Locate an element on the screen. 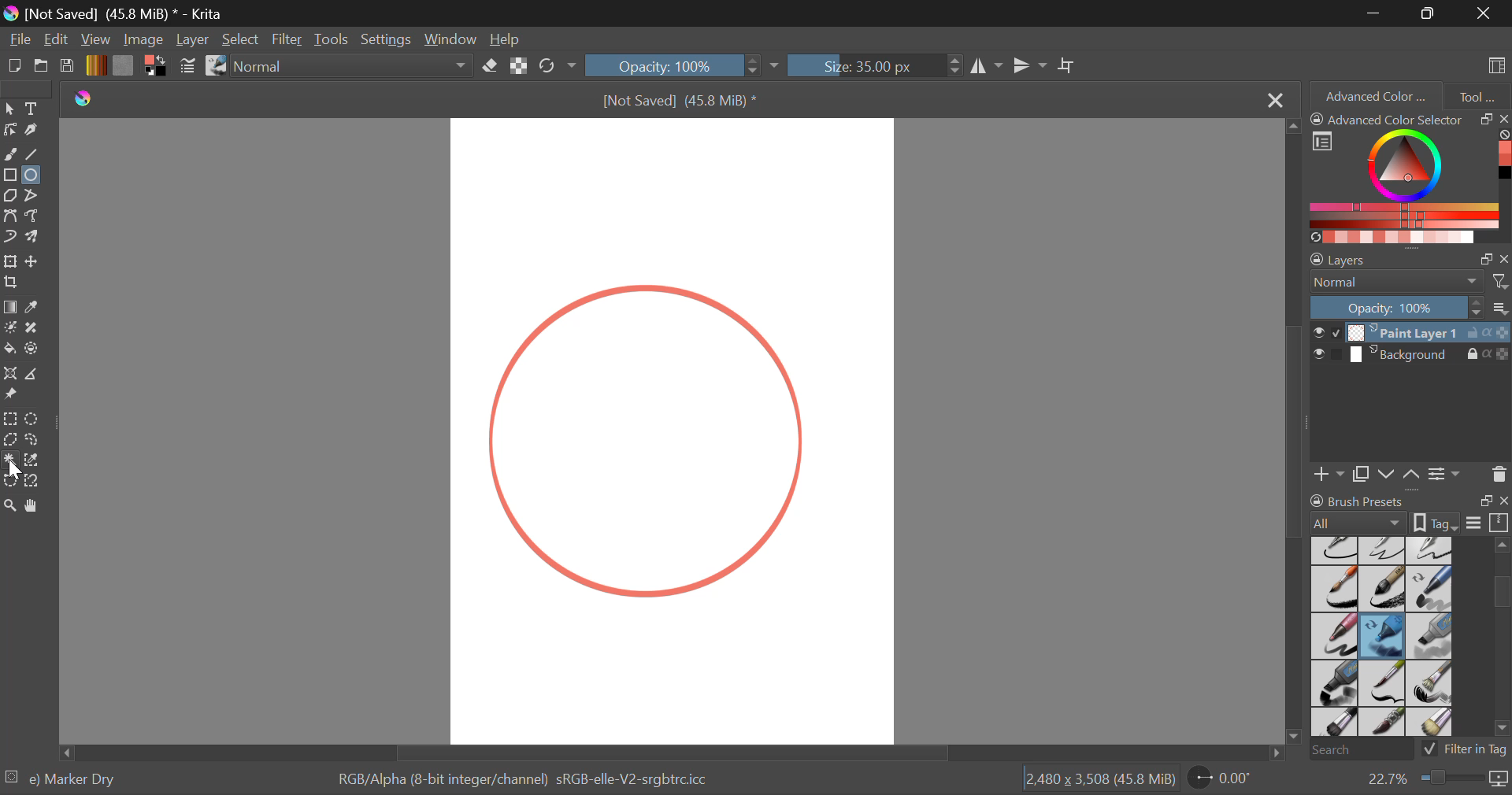  Shape Generated is located at coordinates (654, 444).